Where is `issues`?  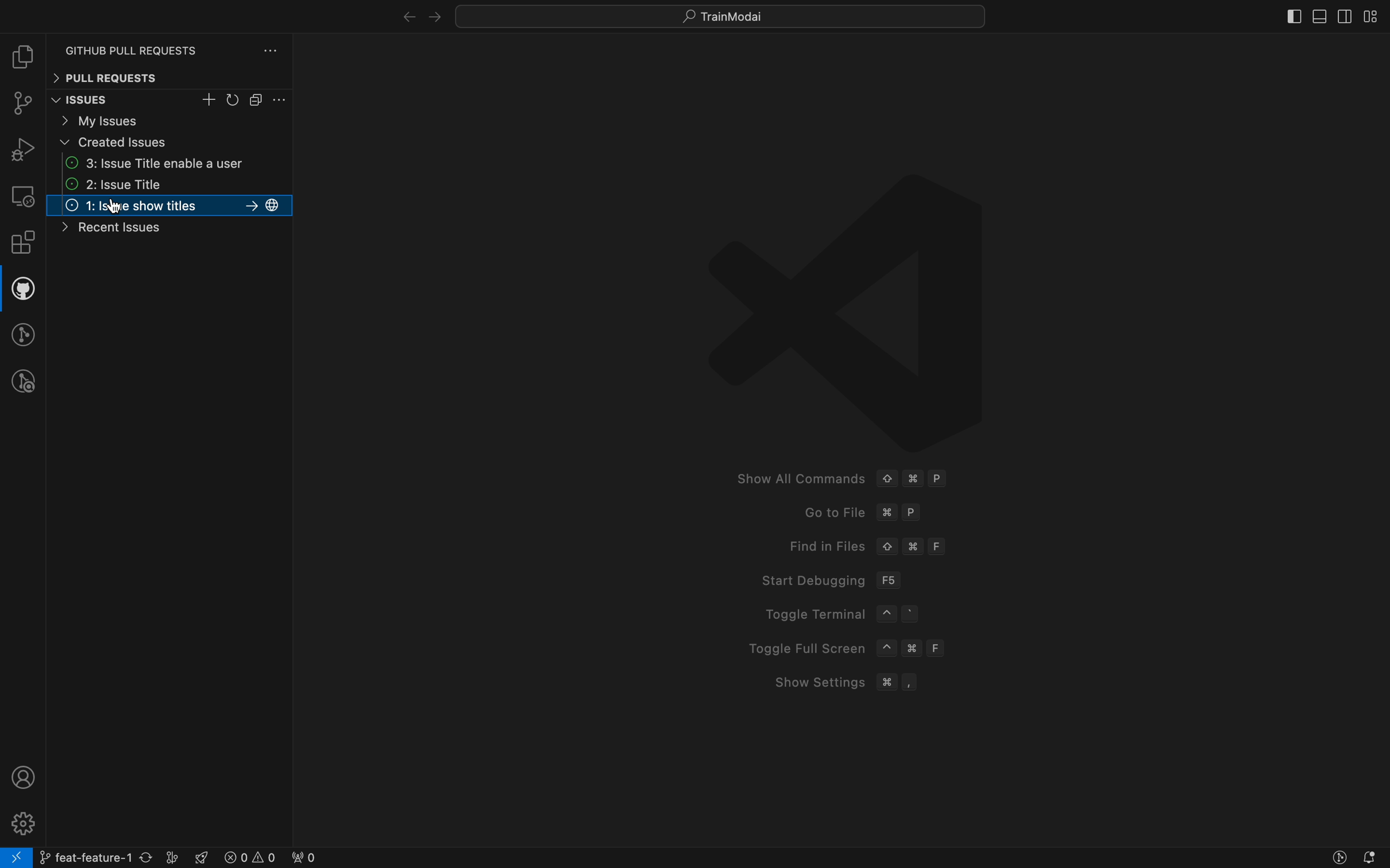
issues is located at coordinates (96, 100).